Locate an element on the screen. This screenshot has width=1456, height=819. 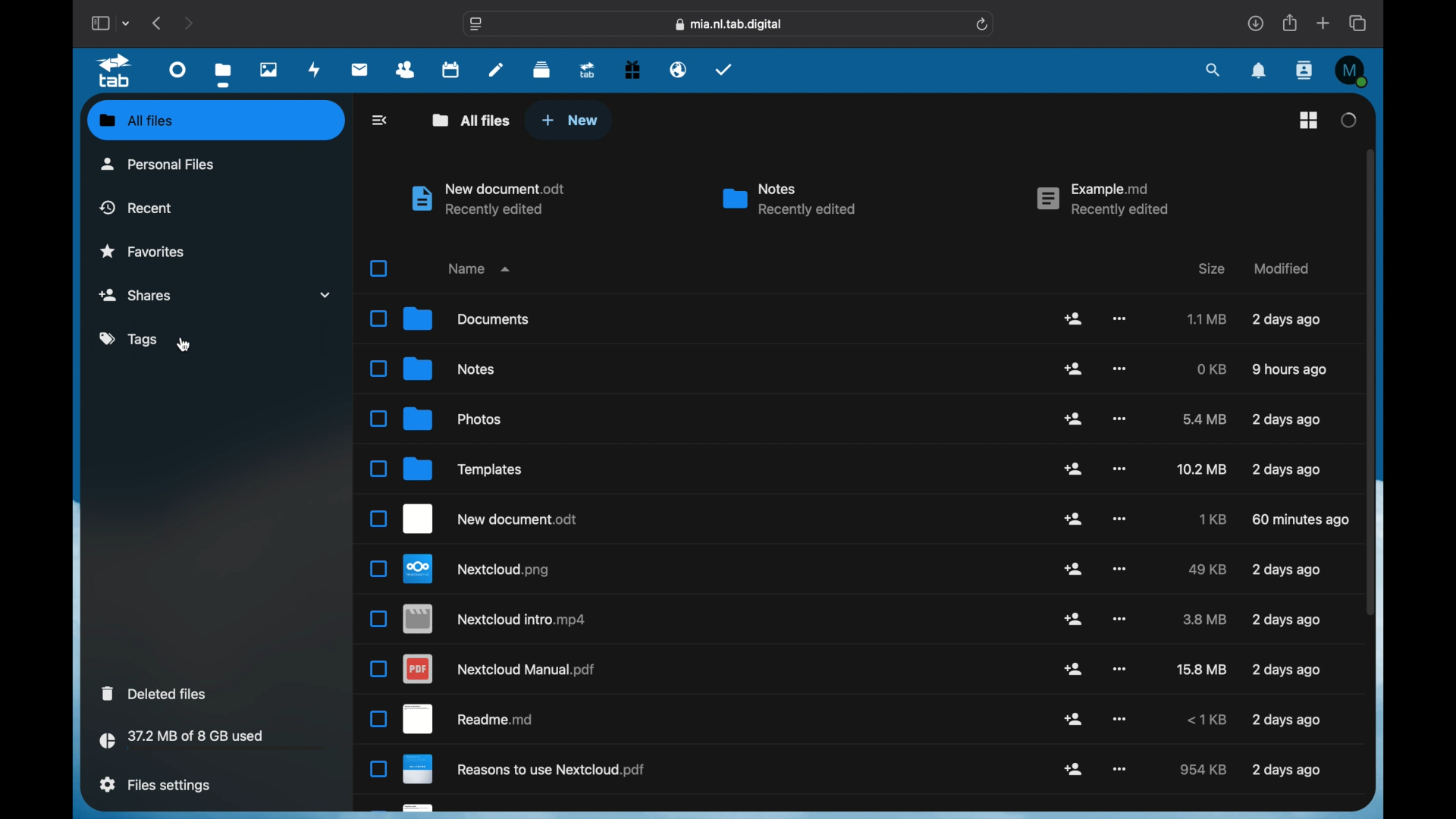
modified is located at coordinates (1285, 471).